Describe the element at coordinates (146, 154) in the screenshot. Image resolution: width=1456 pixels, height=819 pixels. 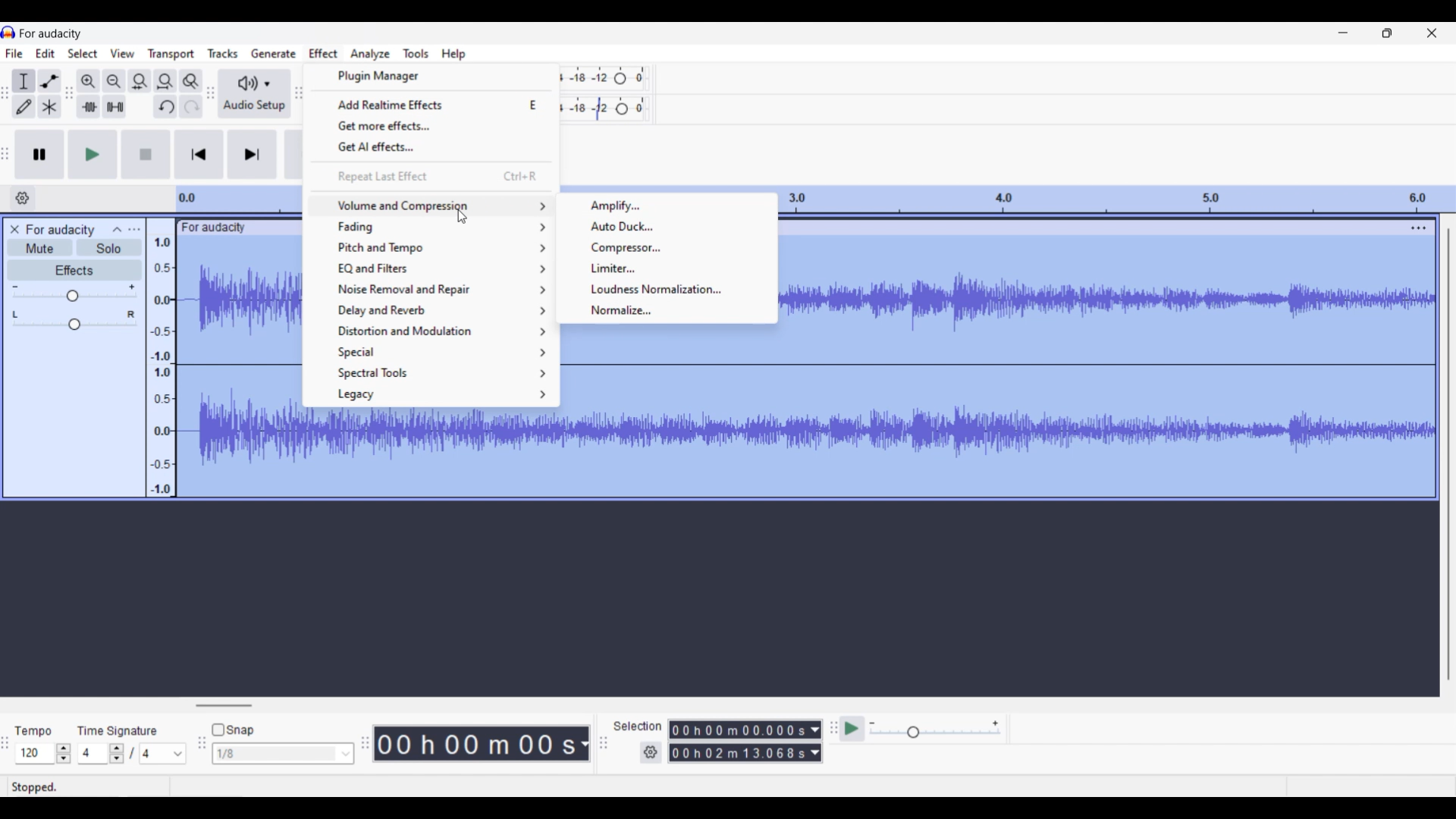
I see `Stop` at that location.